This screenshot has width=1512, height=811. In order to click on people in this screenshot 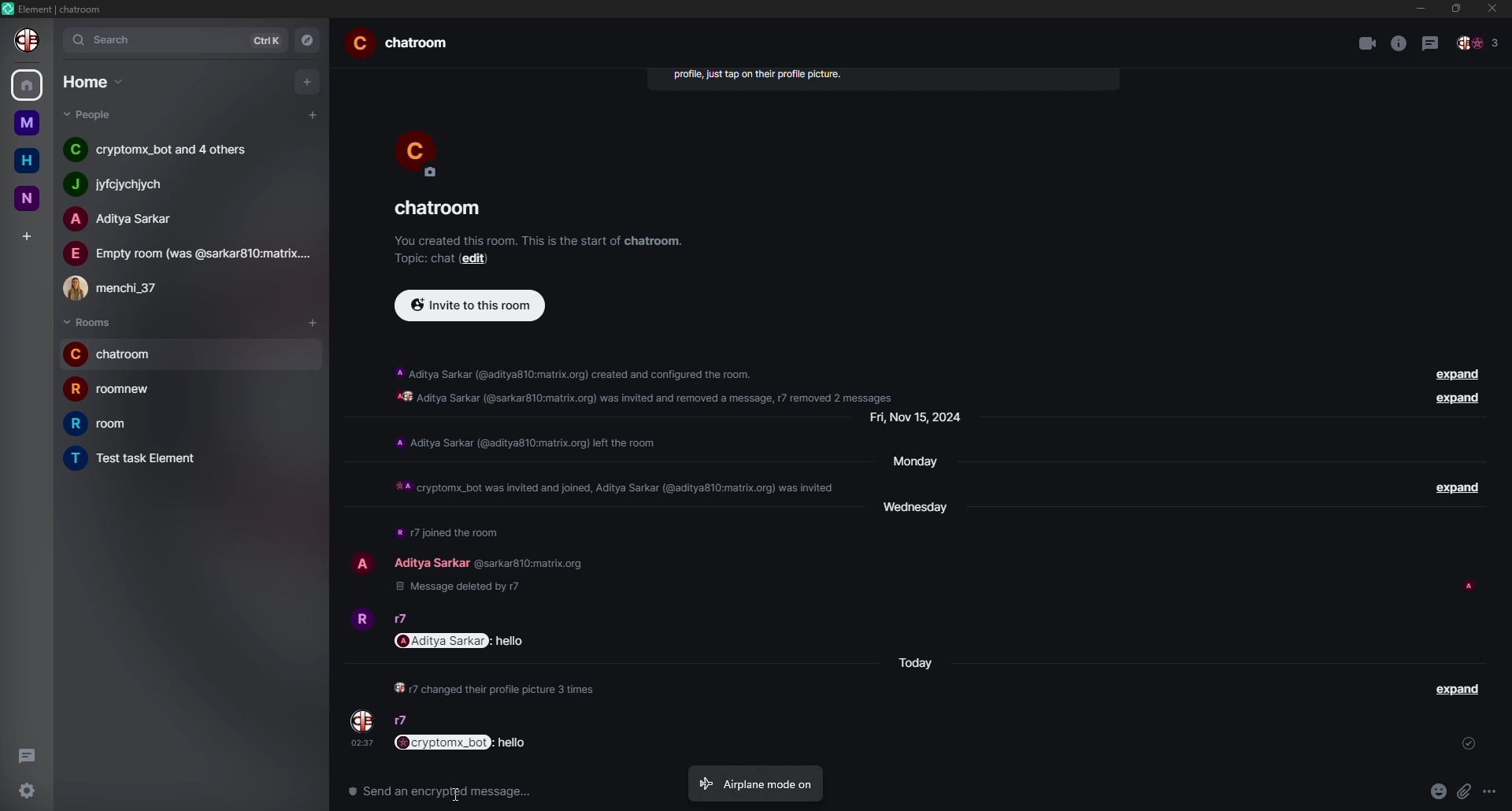, I will do `click(187, 254)`.